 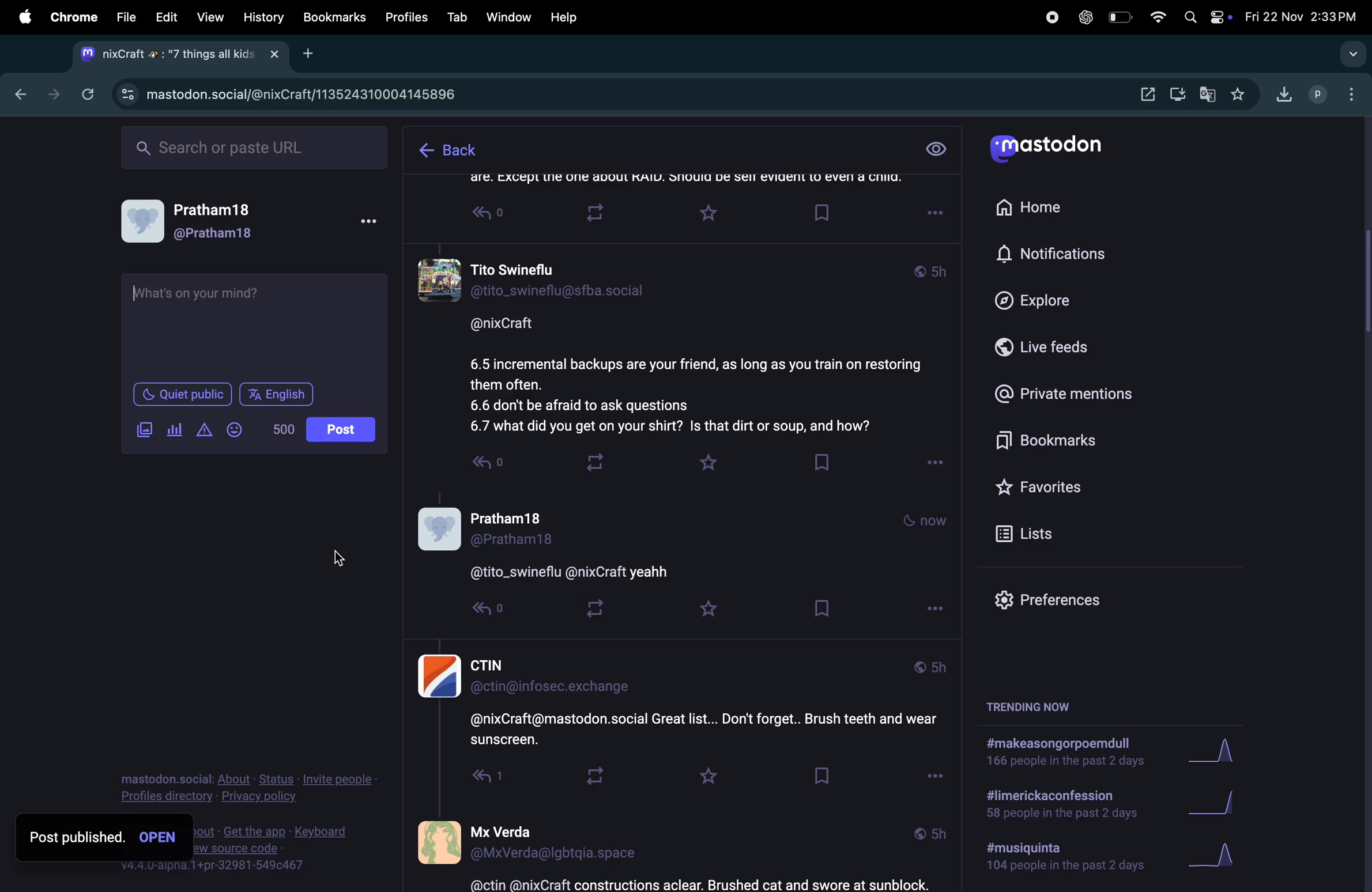 I want to click on notifications, so click(x=1056, y=255).